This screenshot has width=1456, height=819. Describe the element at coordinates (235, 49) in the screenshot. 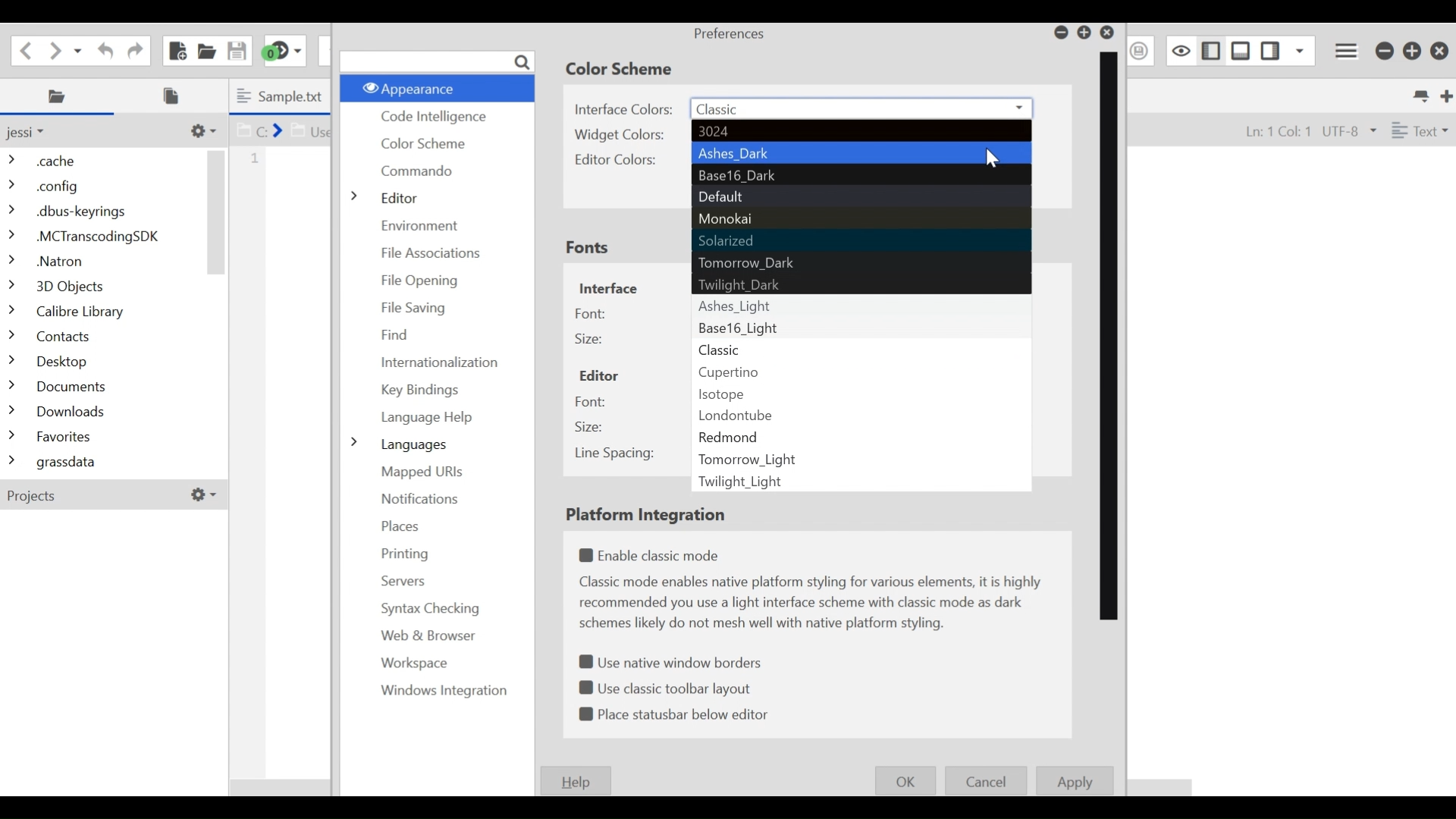

I see `Save file` at that location.